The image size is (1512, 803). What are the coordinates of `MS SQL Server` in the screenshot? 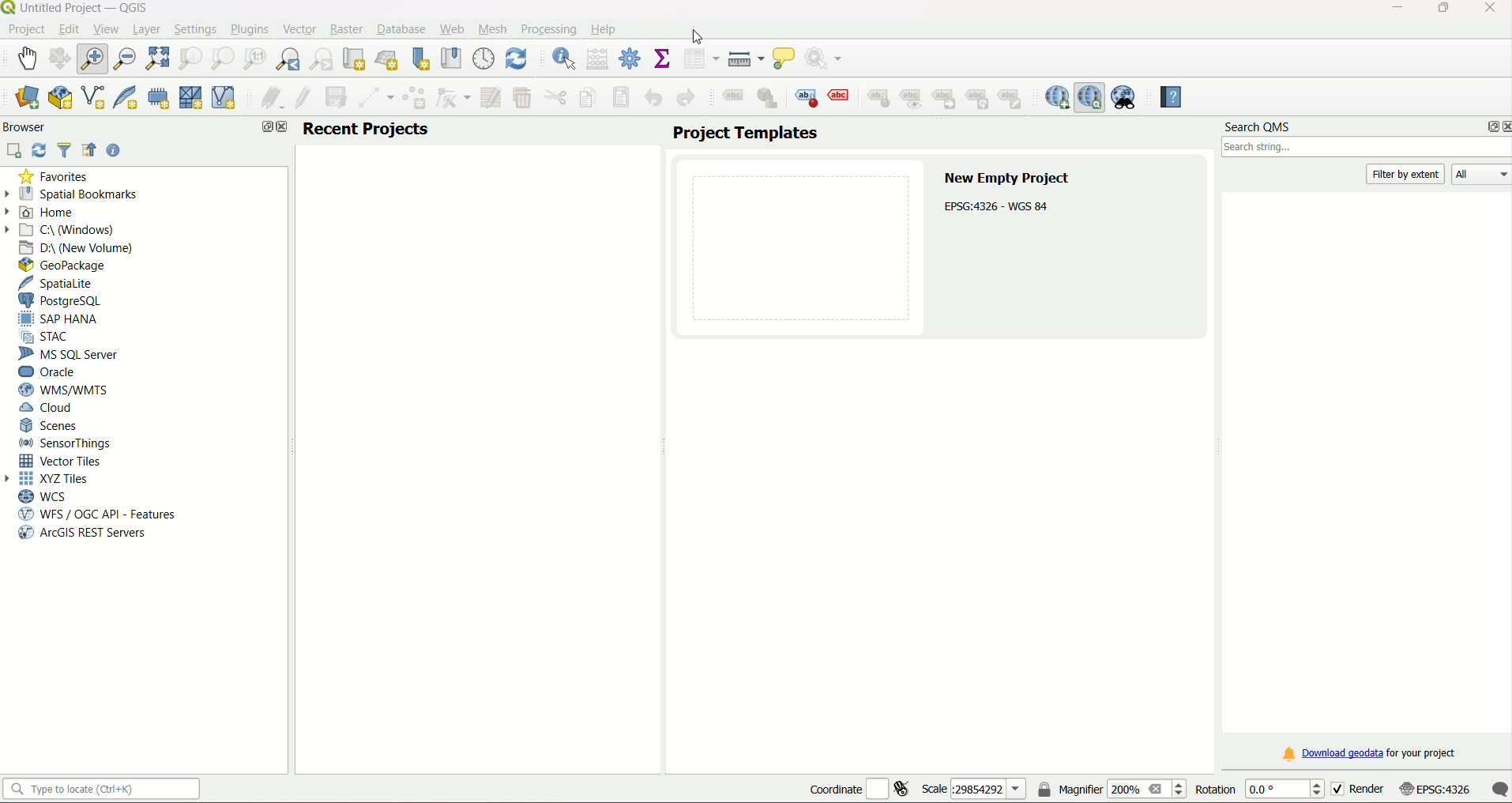 It's located at (70, 355).